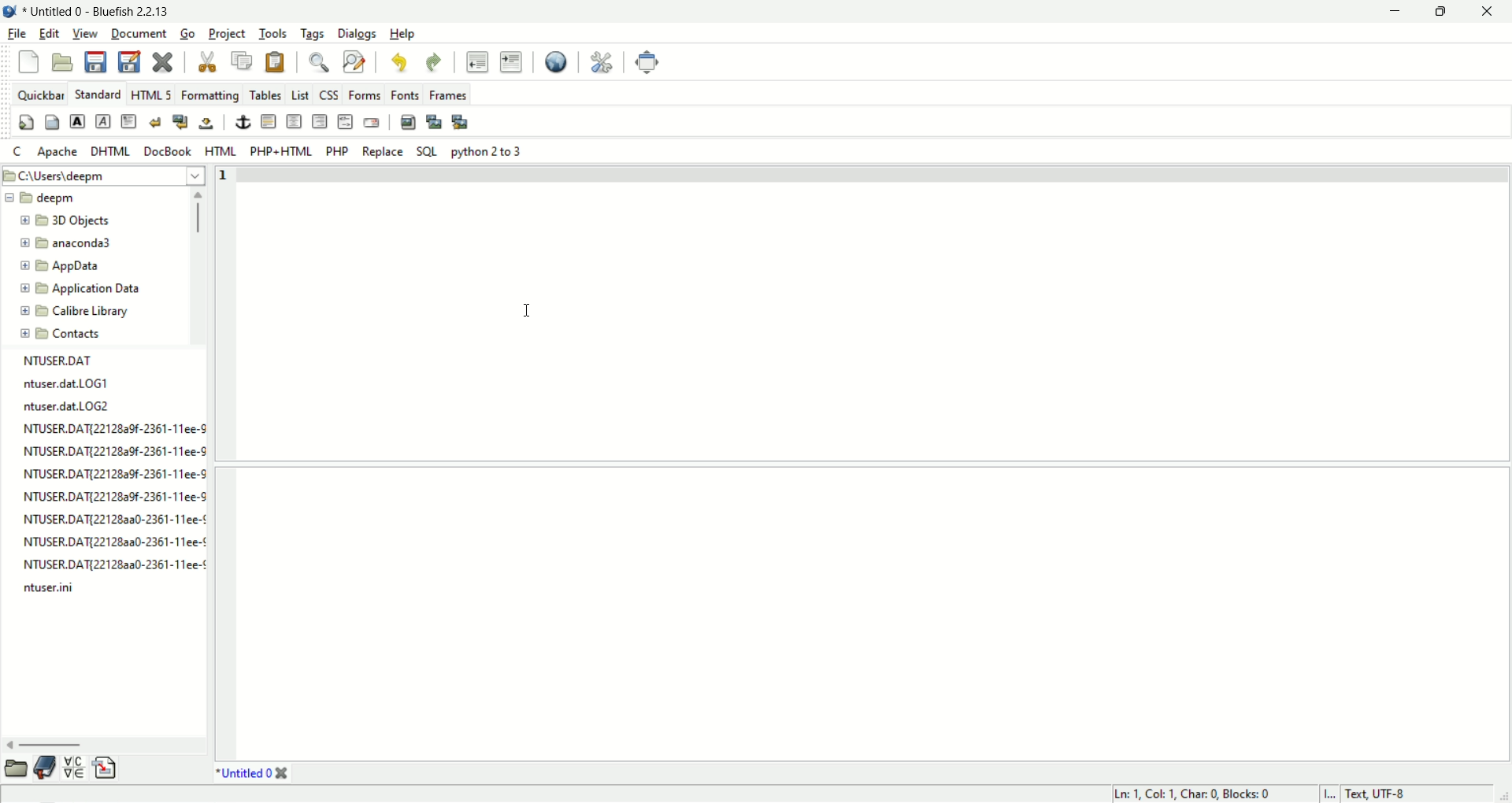 The height and width of the screenshot is (803, 1512). What do you see at coordinates (243, 773) in the screenshot?
I see `Untitled` at bounding box center [243, 773].